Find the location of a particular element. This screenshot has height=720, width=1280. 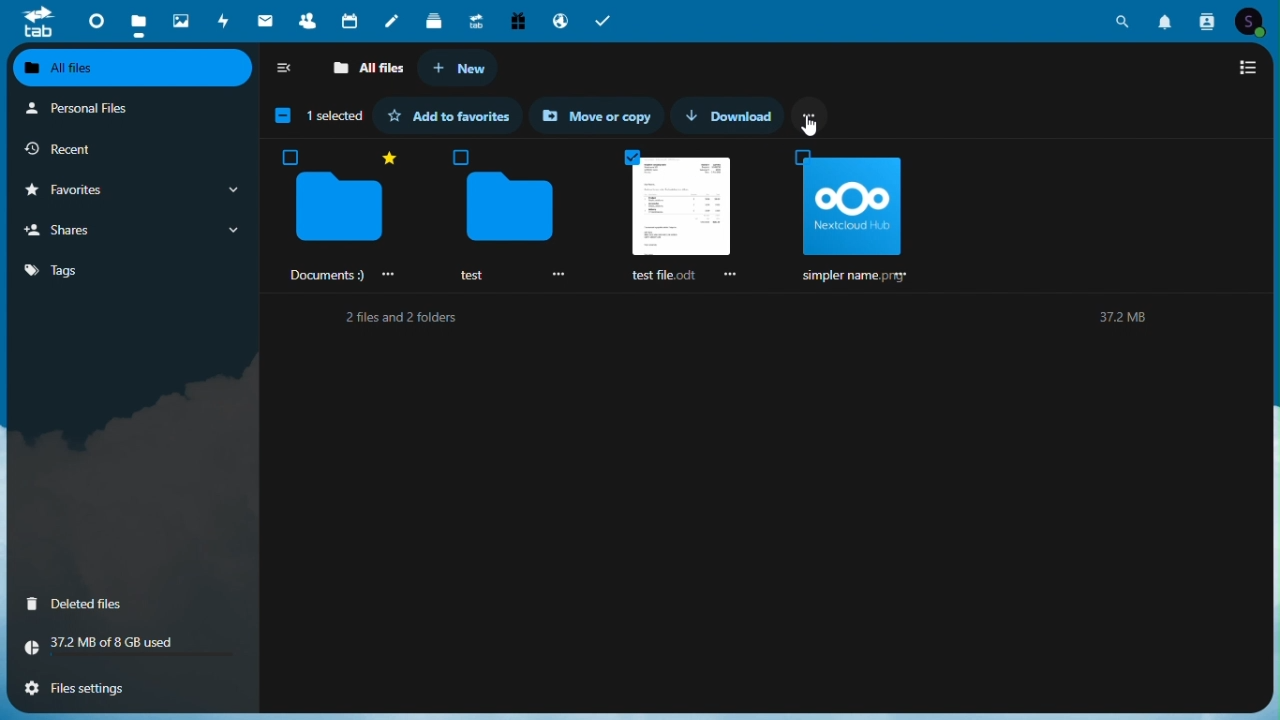

account icon is located at coordinates (1247, 18).